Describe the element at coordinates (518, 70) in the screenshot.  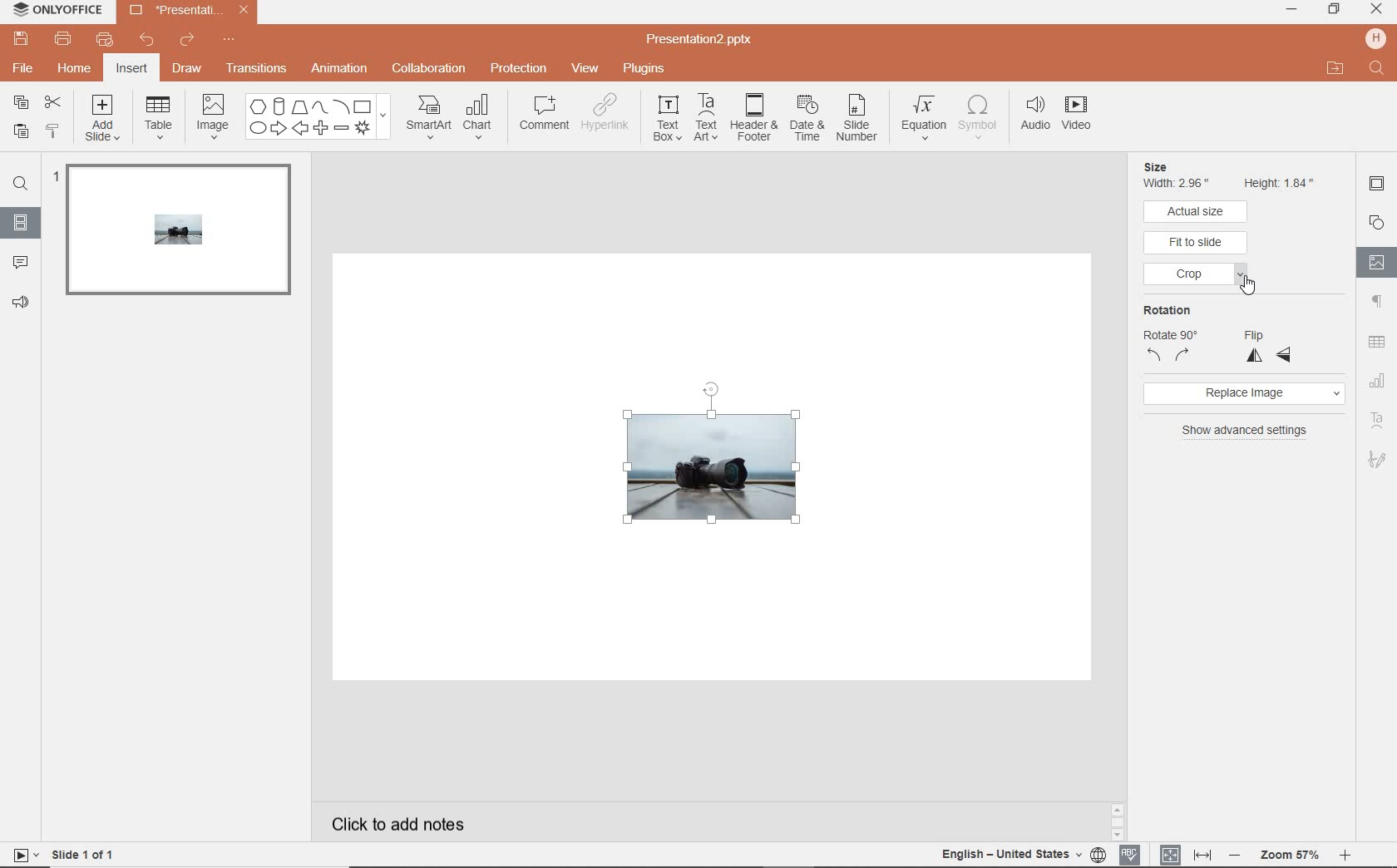
I see `protection` at that location.